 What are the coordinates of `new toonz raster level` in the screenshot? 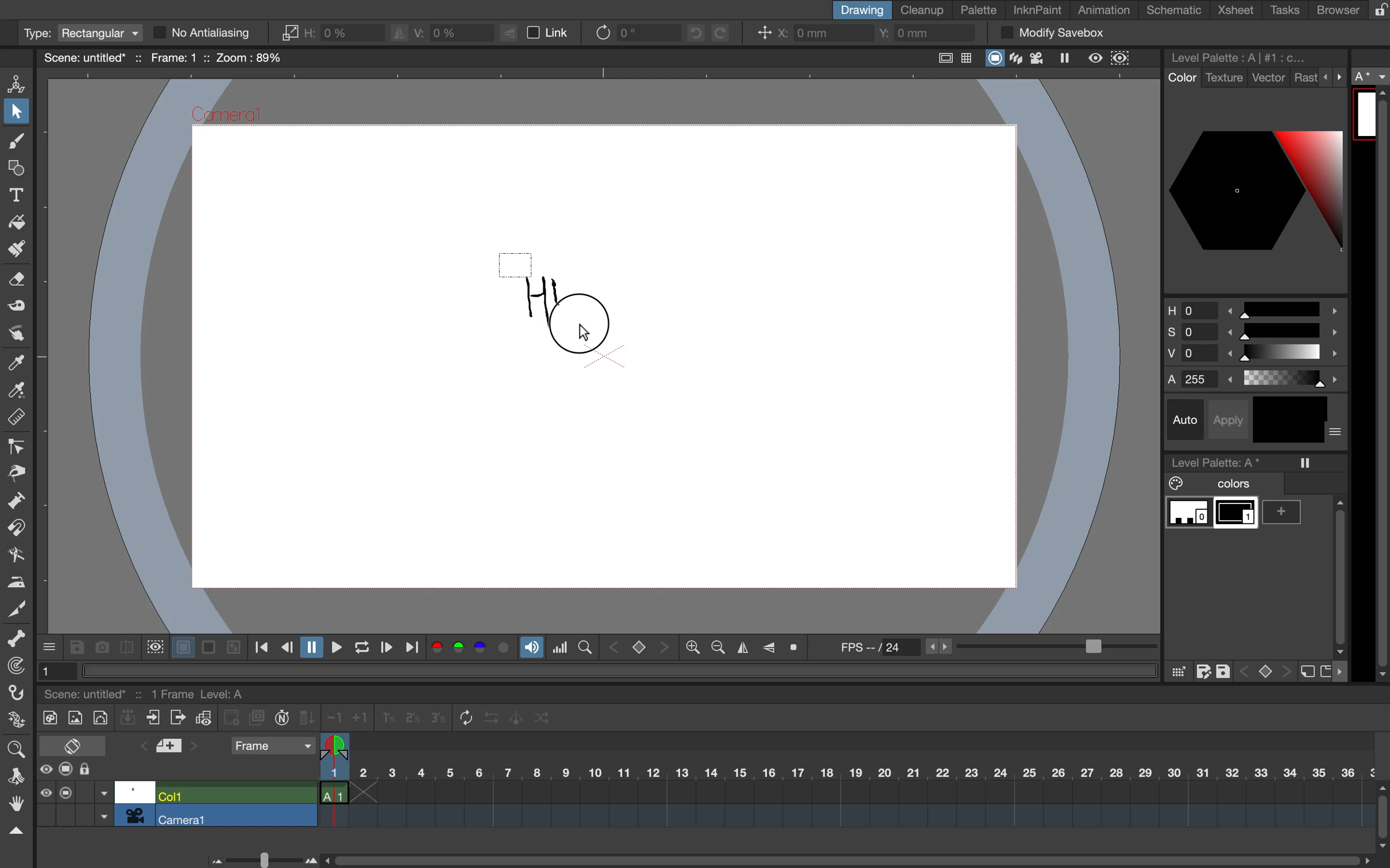 It's located at (47, 716).